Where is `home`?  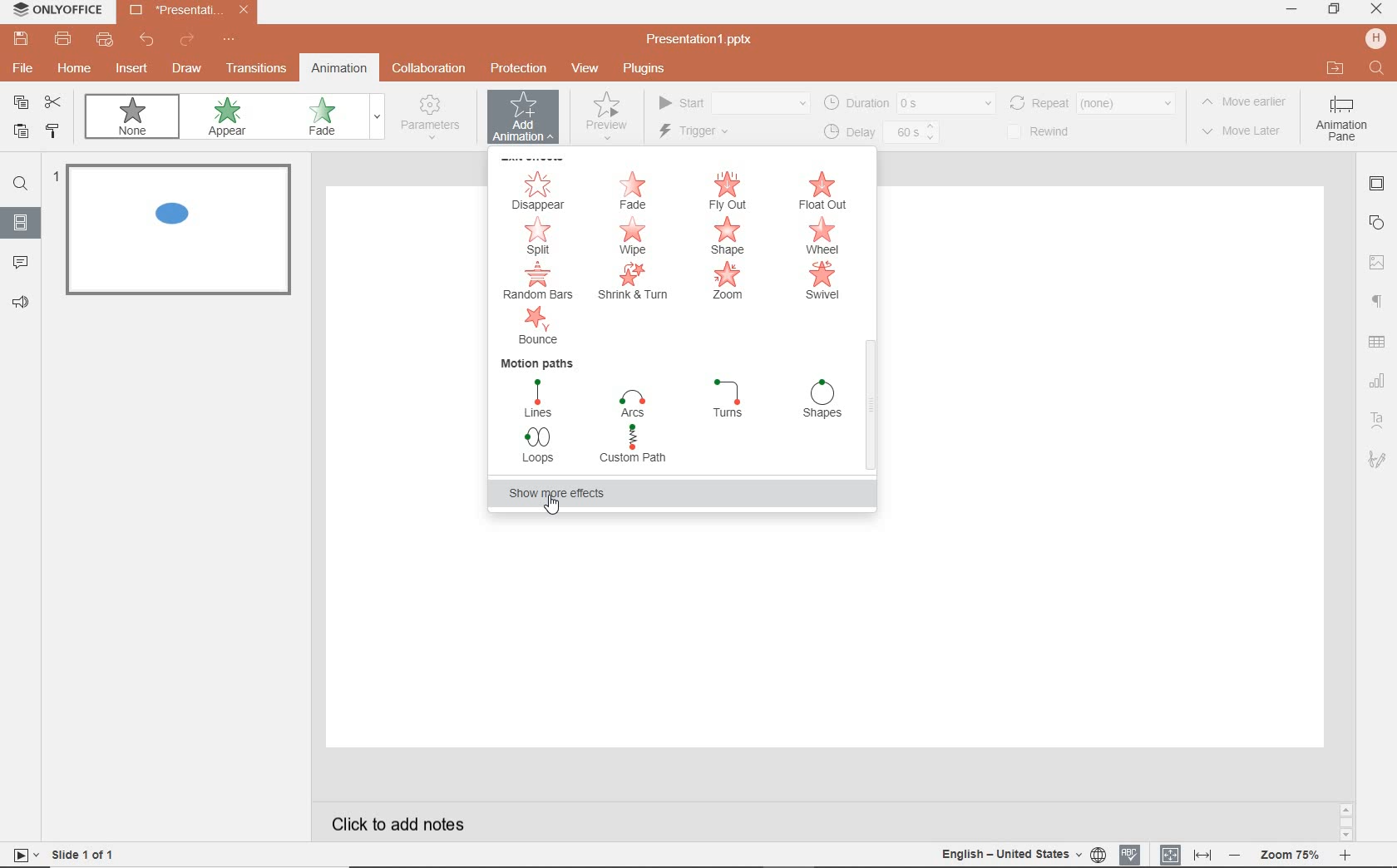
home is located at coordinates (76, 71).